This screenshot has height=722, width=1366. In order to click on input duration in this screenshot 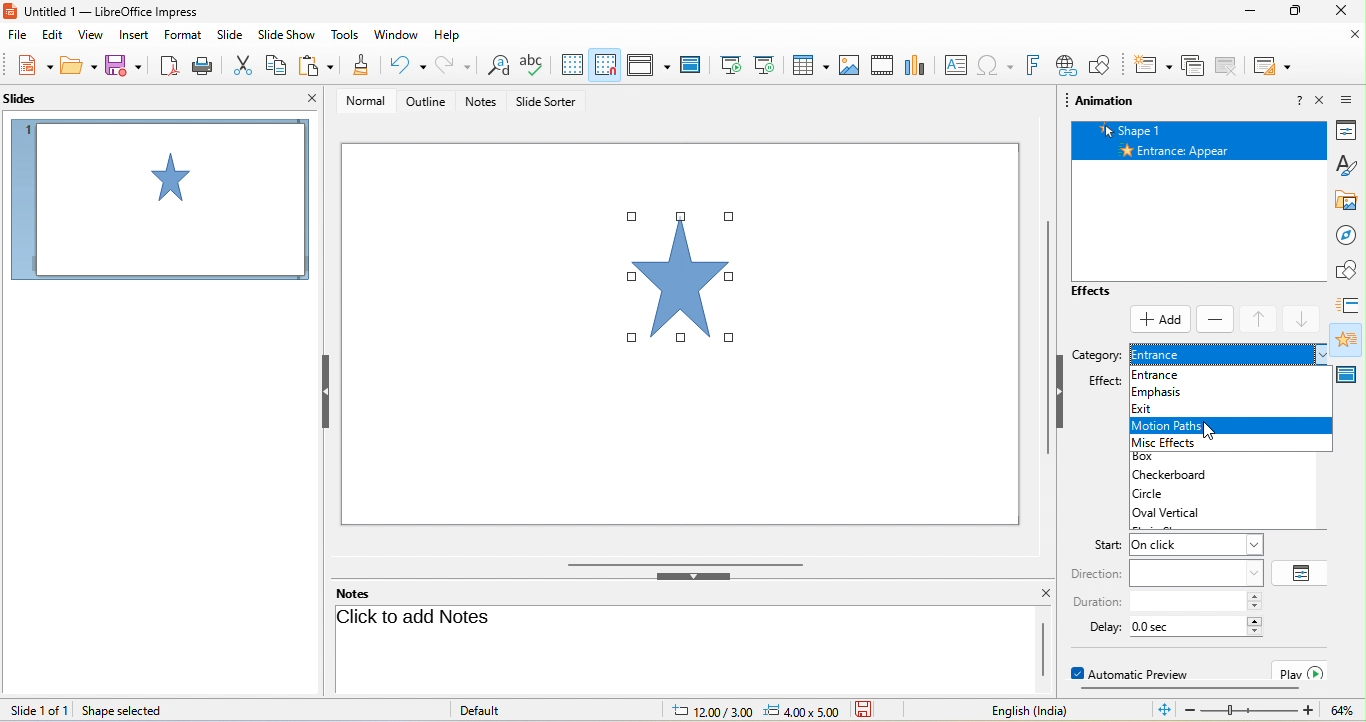, I will do `click(1187, 602)`.